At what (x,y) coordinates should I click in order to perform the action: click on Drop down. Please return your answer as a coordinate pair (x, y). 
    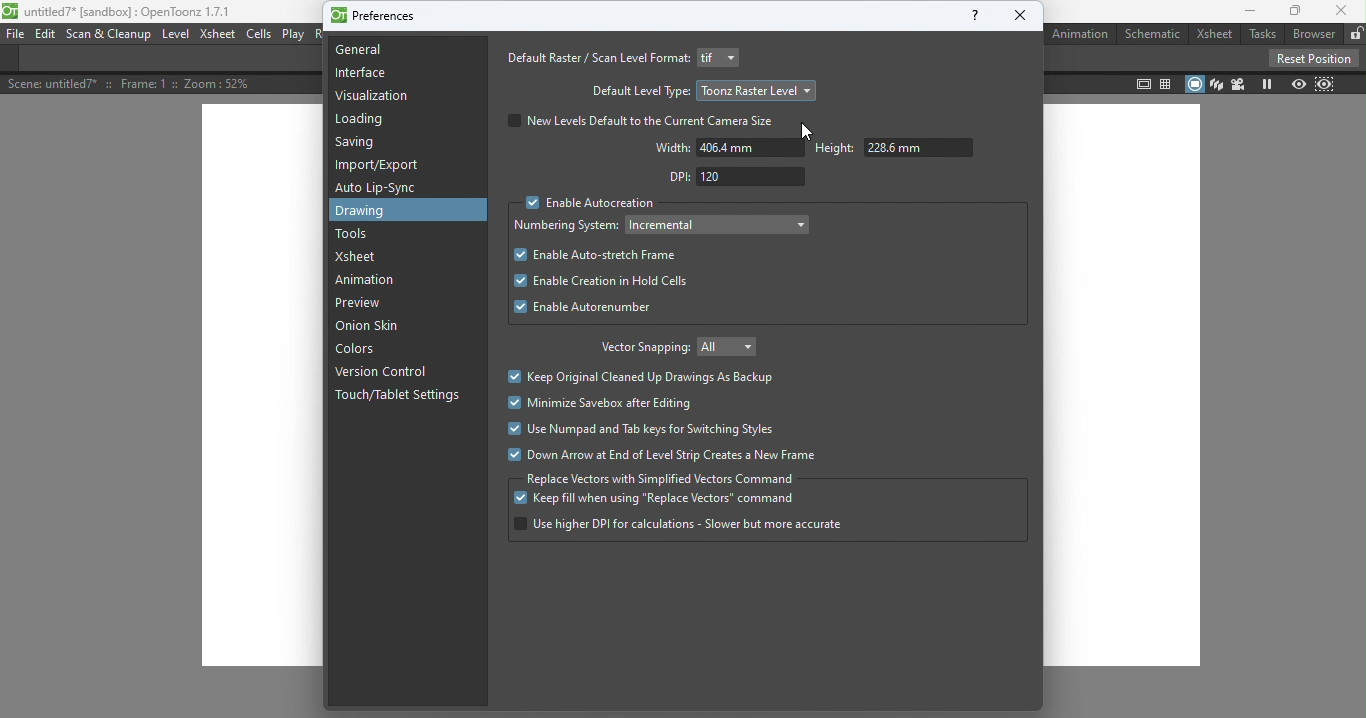
    Looking at the image, I should click on (718, 223).